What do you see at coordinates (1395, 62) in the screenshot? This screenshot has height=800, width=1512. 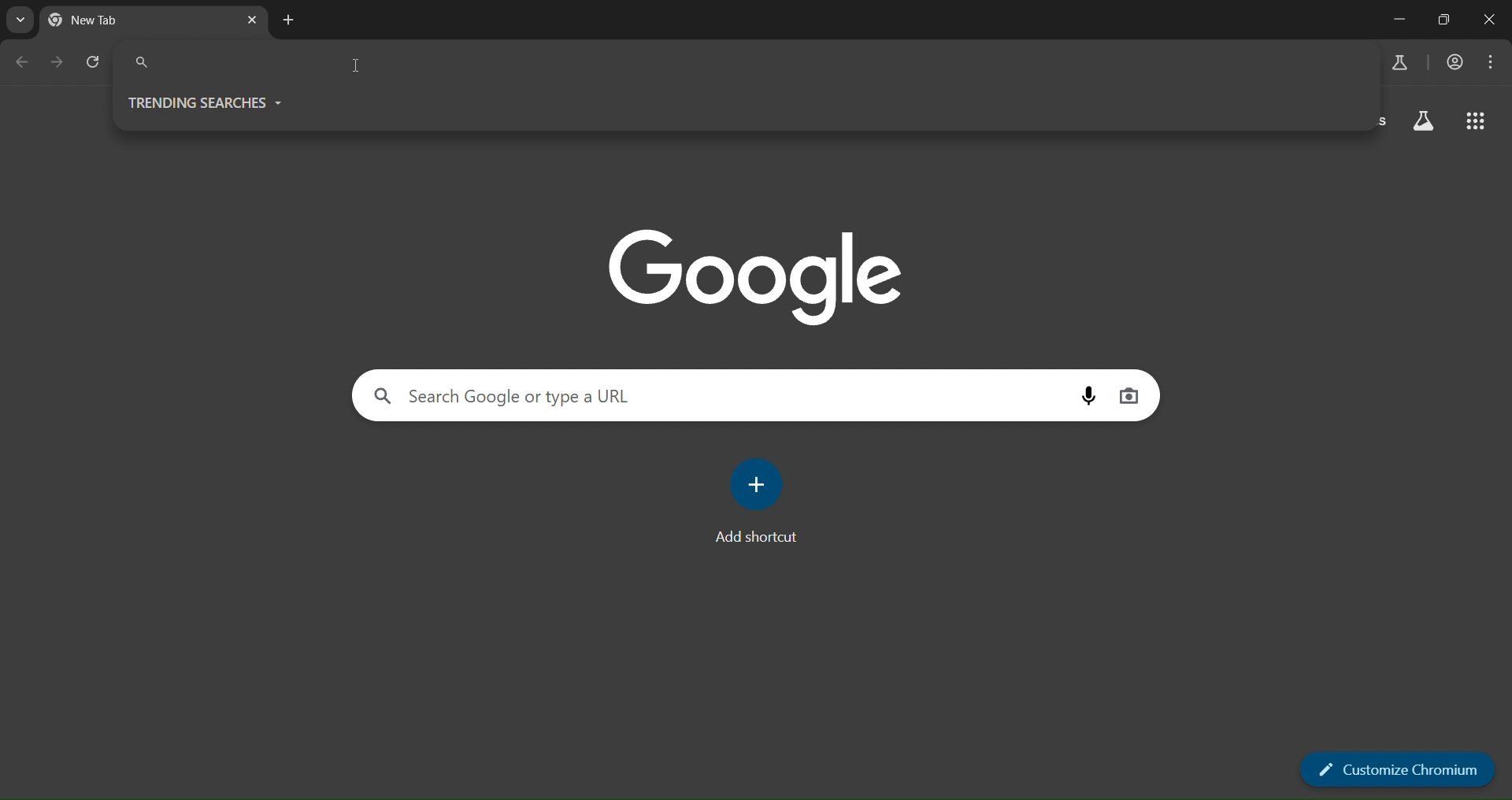 I see `search labs` at bounding box center [1395, 62].